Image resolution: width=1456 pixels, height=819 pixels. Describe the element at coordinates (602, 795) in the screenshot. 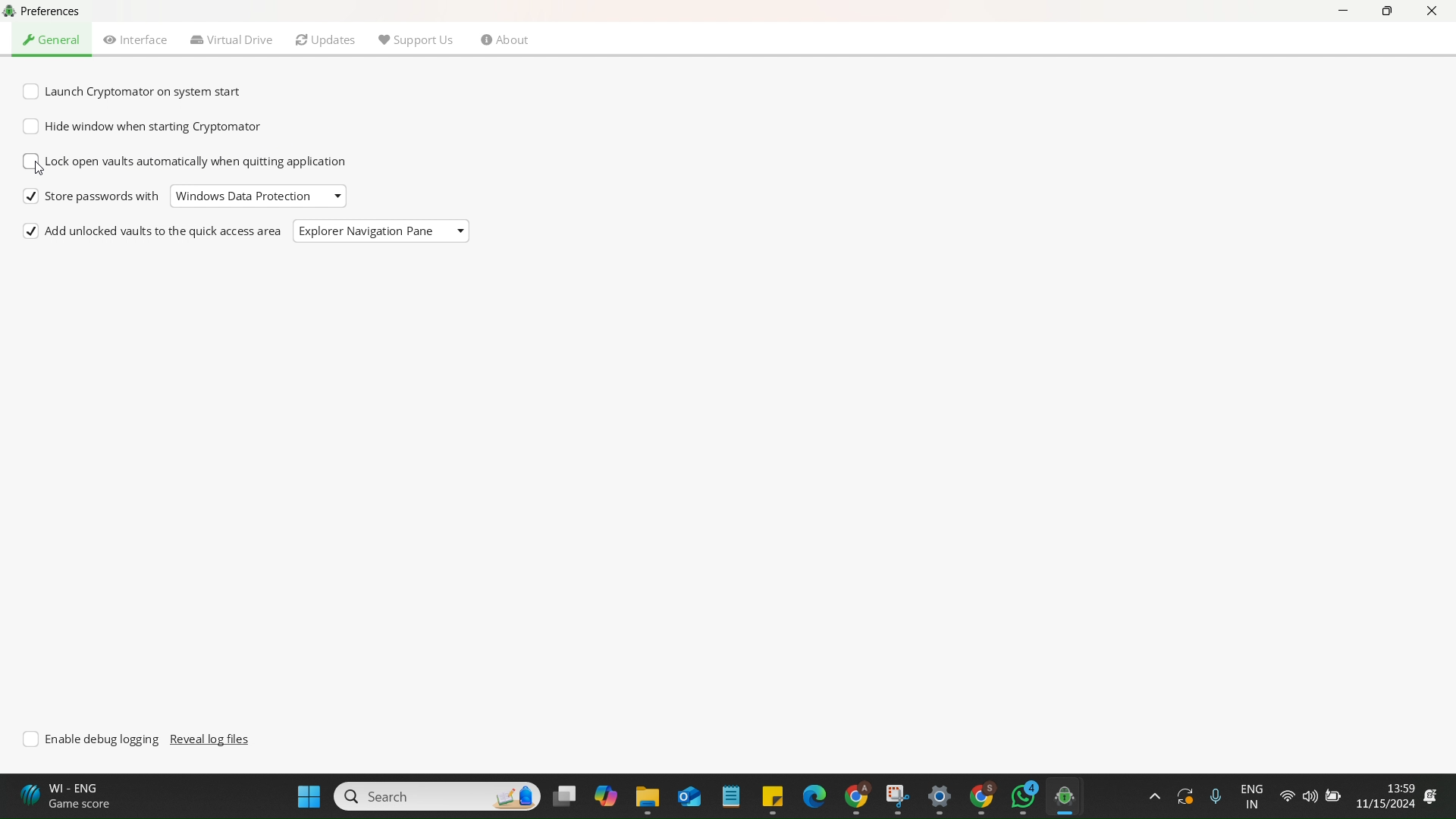

I see `CoPilot` at that location.